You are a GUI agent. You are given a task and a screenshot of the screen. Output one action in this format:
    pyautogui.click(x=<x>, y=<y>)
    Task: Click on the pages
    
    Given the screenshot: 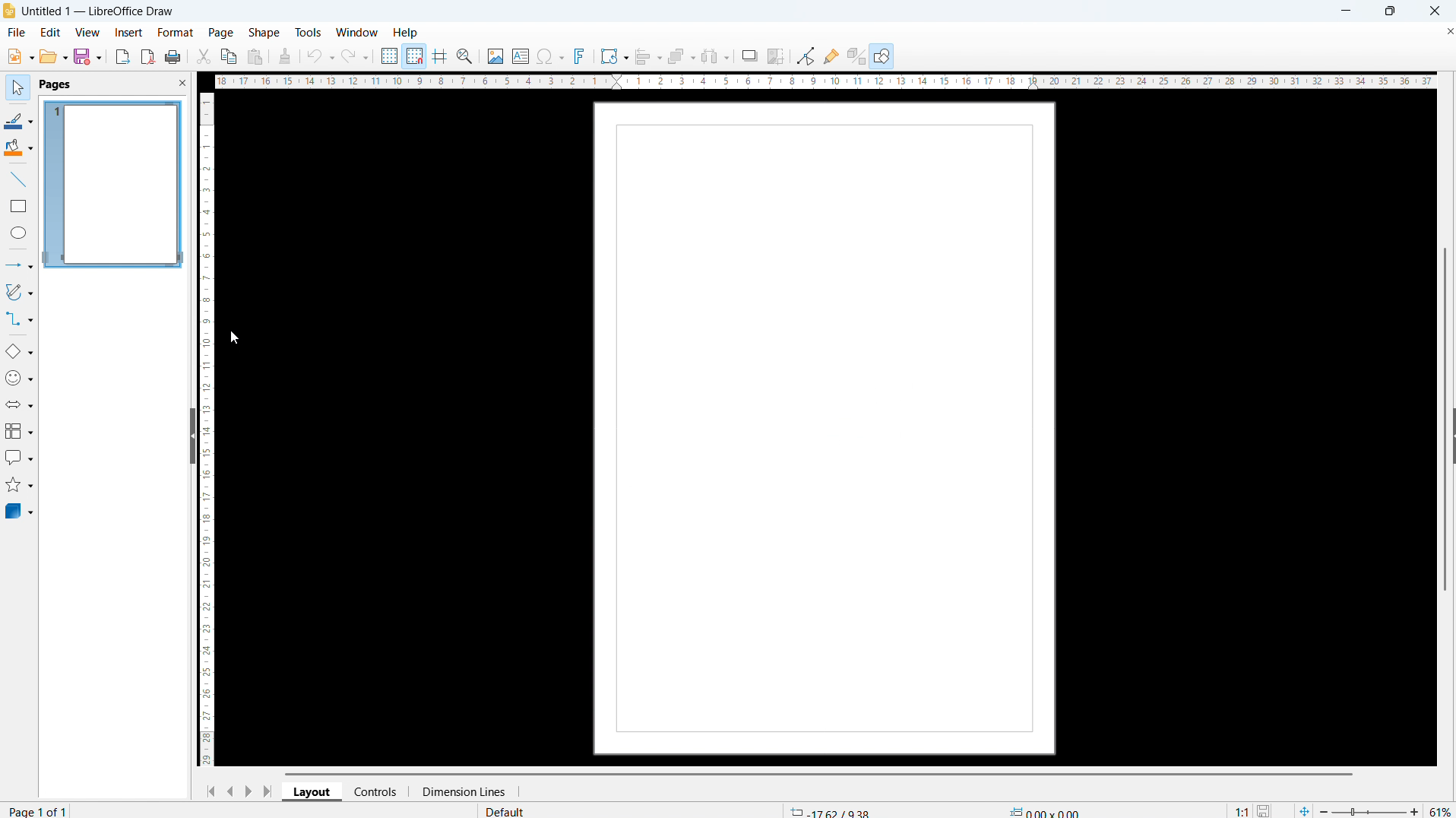 What is the action you would take?
    pyautogui.click(x=55, y=85)
    